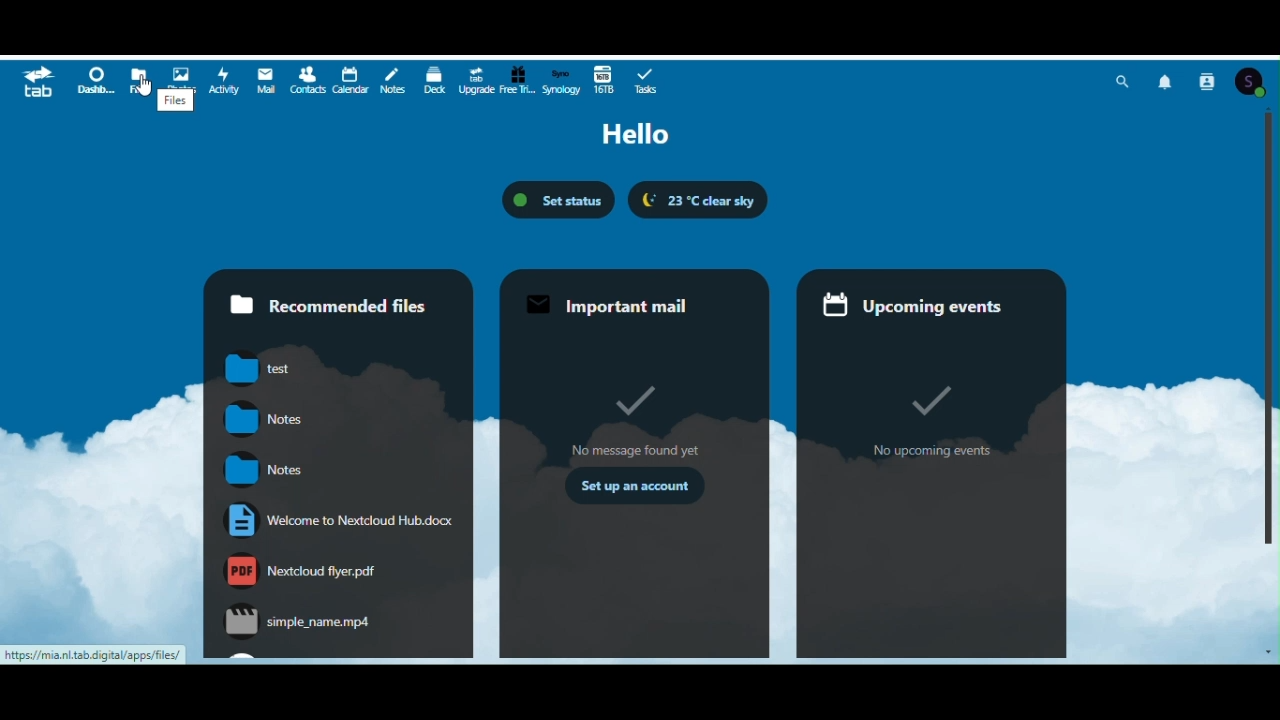  Describe the element at coordinates (944, 453) in the screenshot. I see `no upcoming events` at that location.